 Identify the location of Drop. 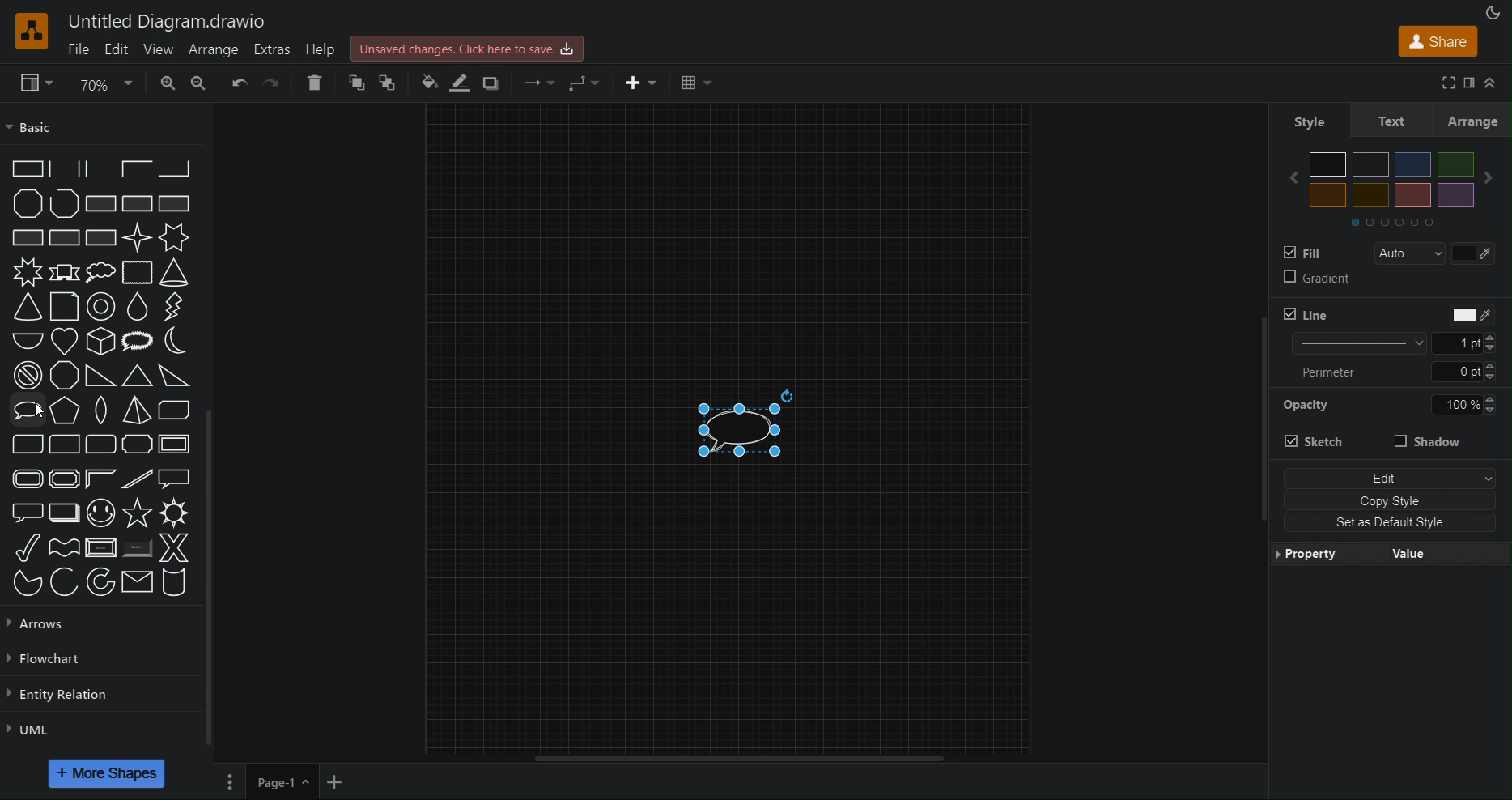
(138, 306).